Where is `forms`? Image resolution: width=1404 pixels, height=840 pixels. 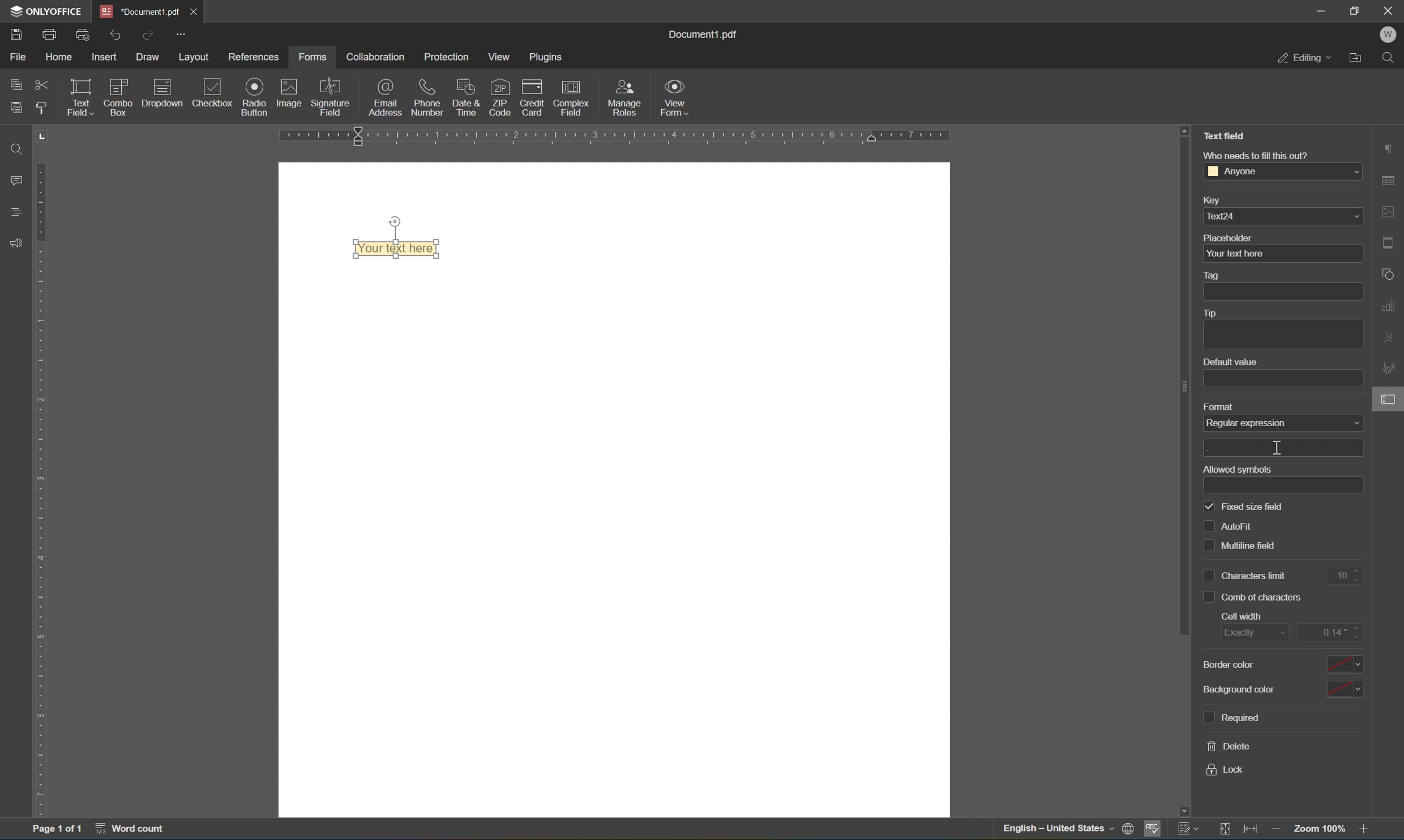
forms is located at coordinates (312, 57).